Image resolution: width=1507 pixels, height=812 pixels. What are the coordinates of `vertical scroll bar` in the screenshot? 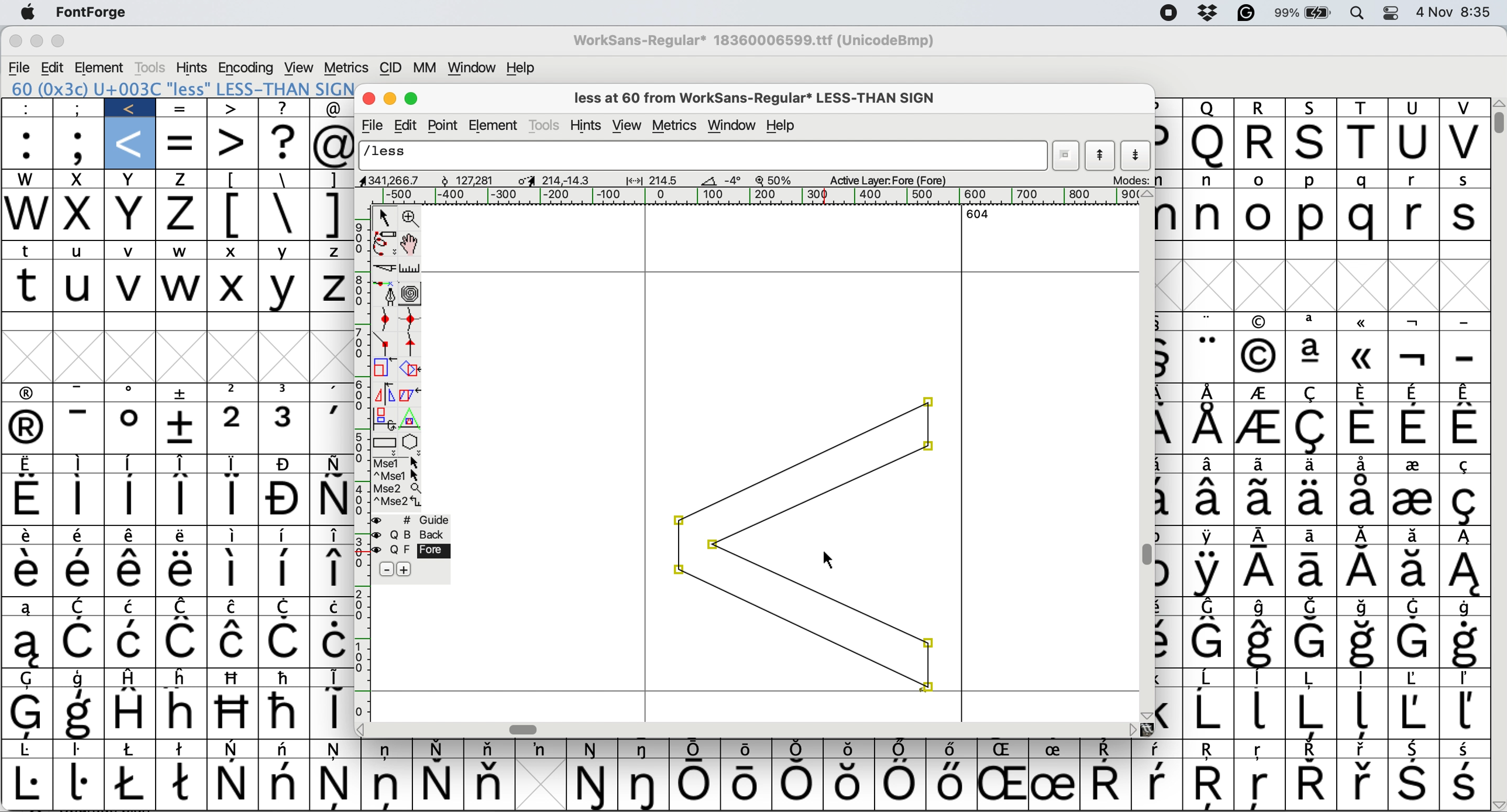 It's located at (1498, 120).